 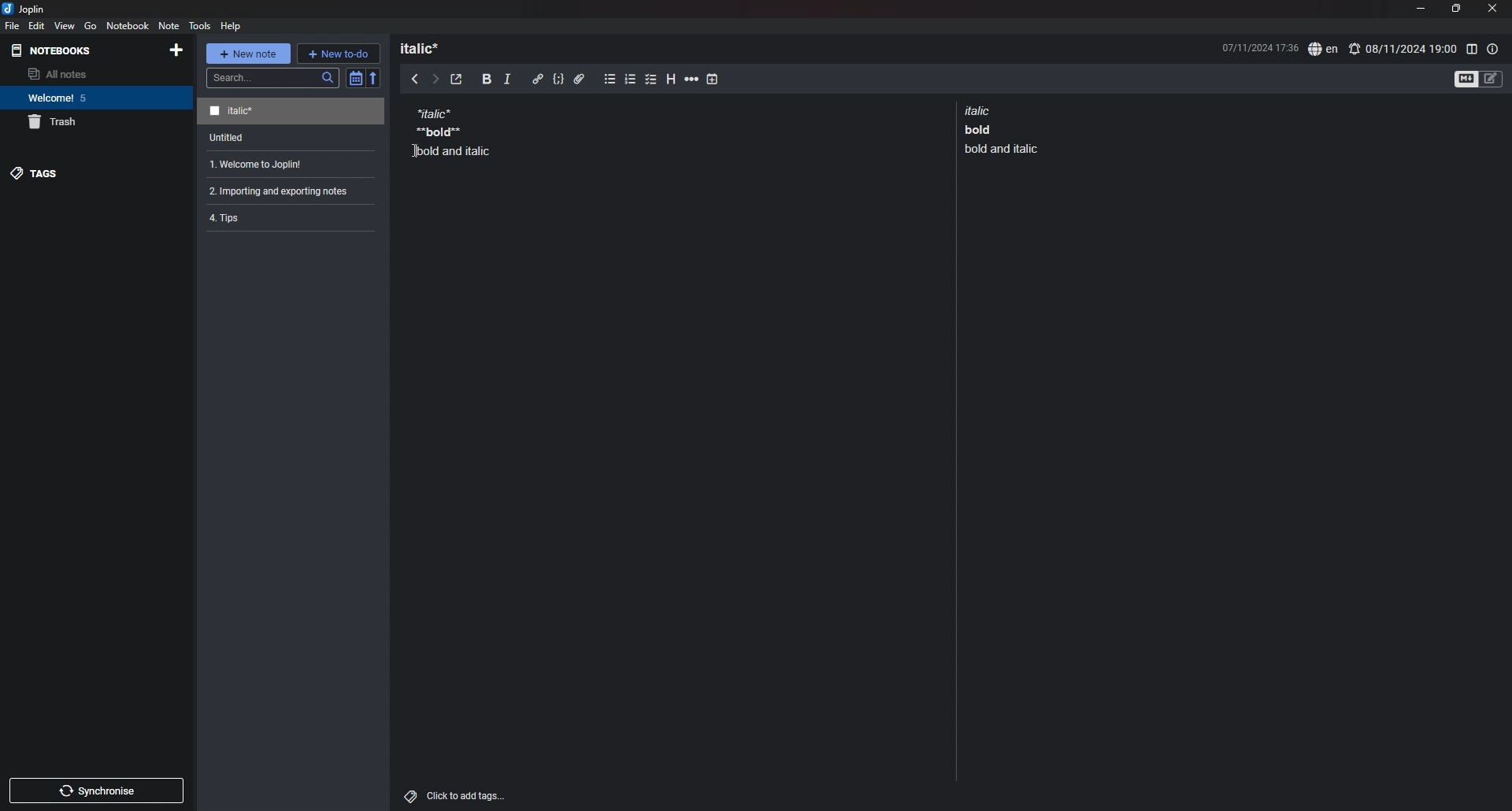 What do you see at coordinates (673, 80) in the screenshot?
I see `heading` at bounding box center [673, 80].